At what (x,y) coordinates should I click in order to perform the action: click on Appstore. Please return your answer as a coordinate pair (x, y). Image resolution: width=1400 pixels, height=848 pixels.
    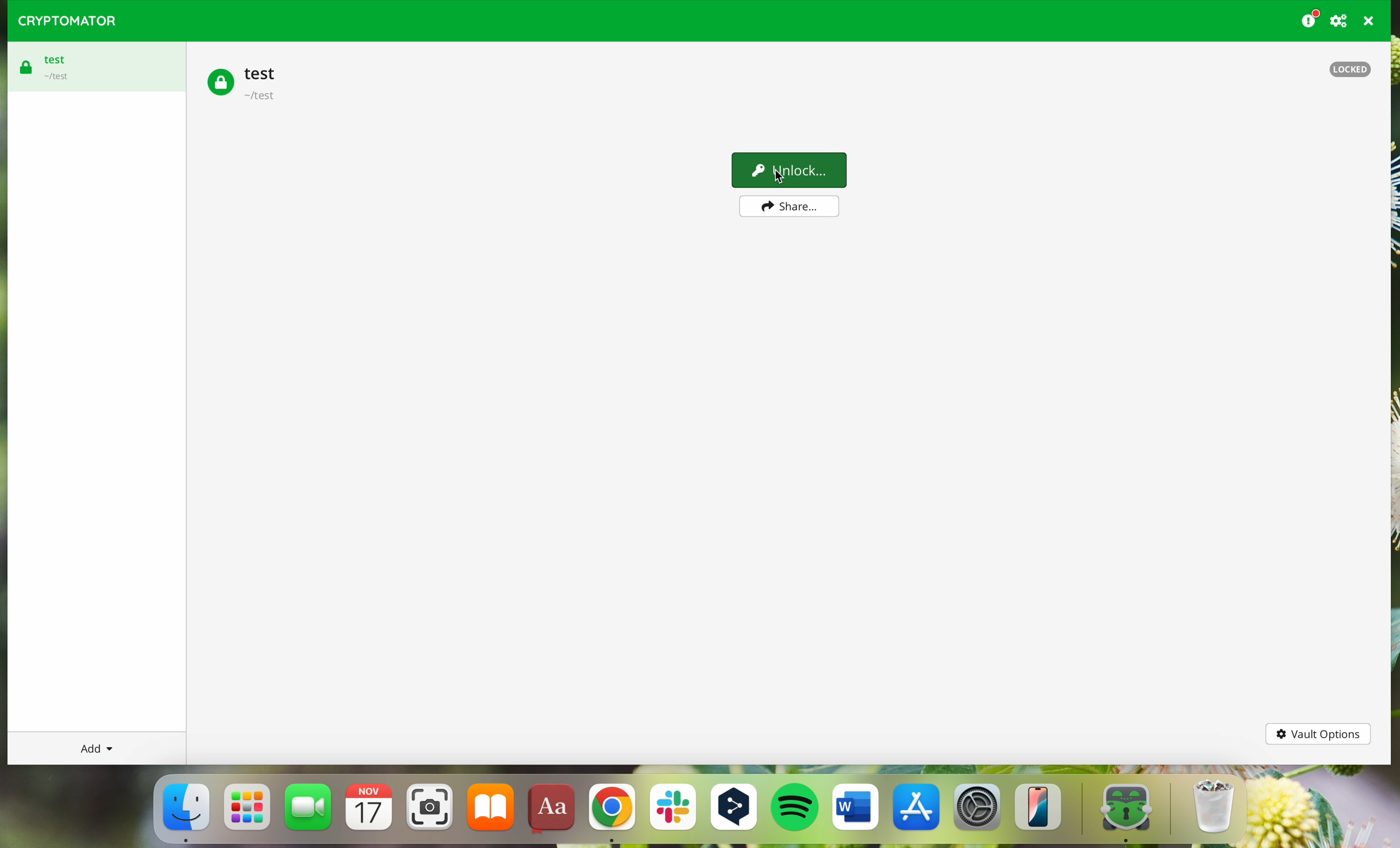
    Looking at the image, I should click on (918, 811).